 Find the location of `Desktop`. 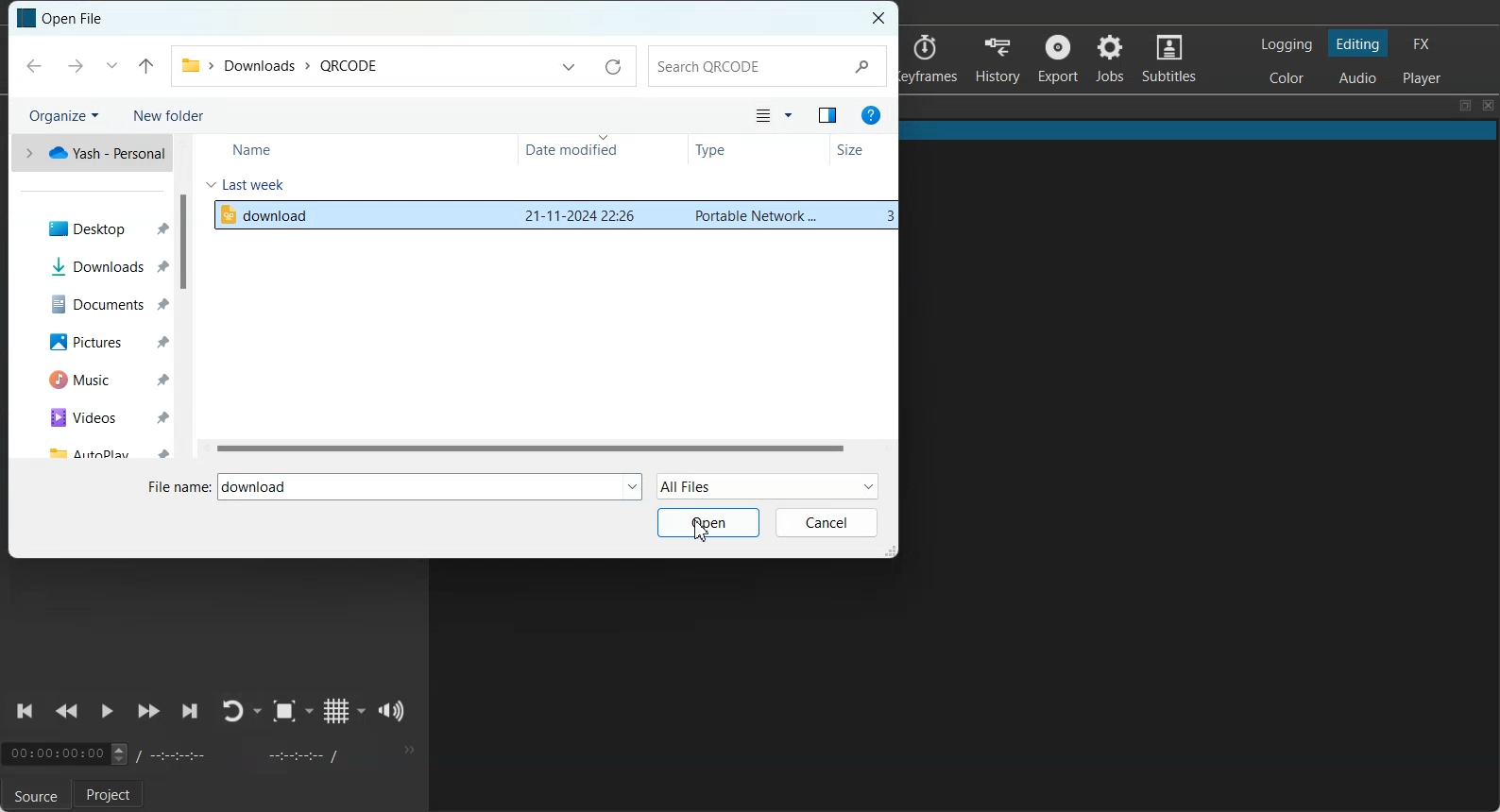

Desktop is located at coordinates (100, 226).